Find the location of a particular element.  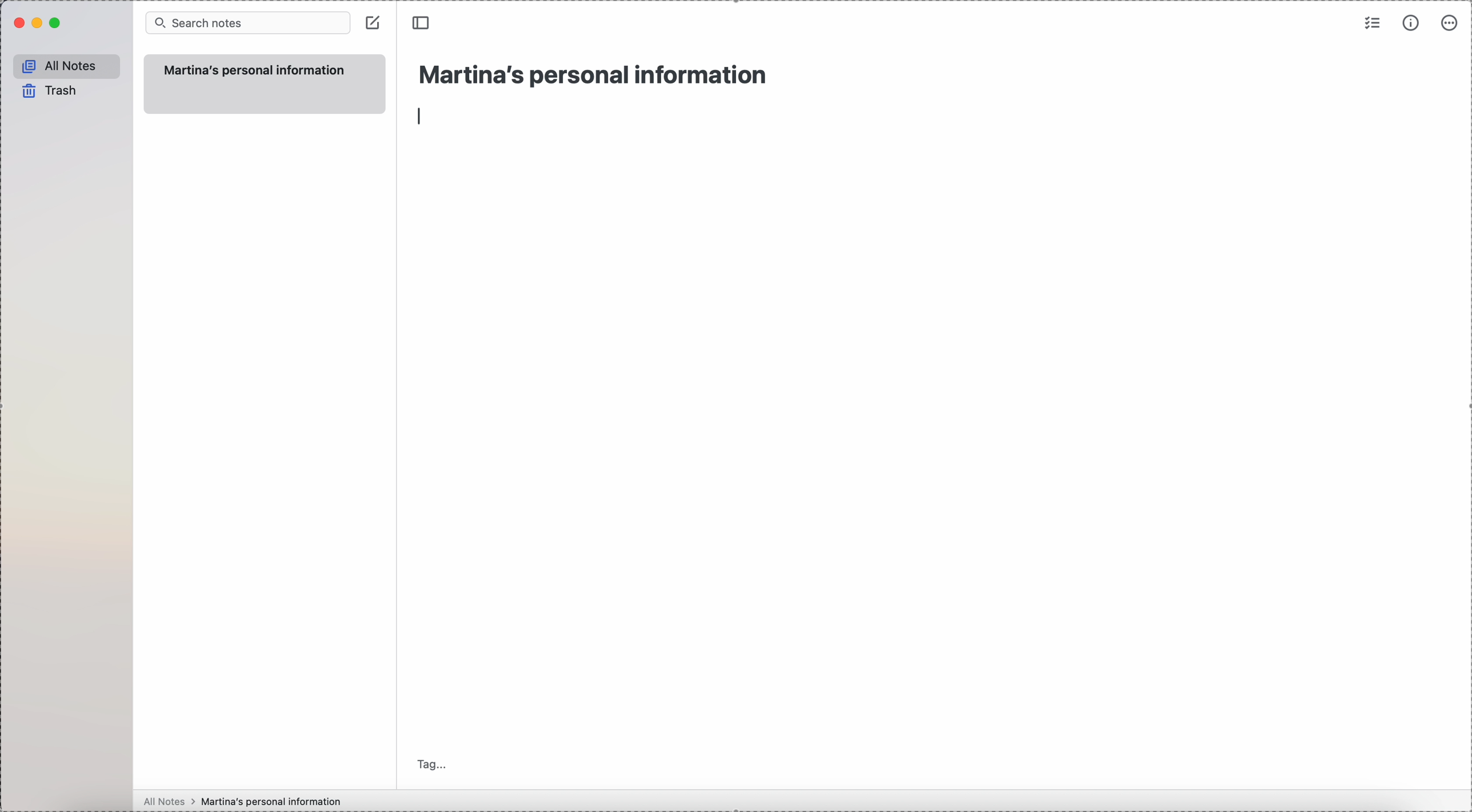

all notes is located at coordinates (66, 66).